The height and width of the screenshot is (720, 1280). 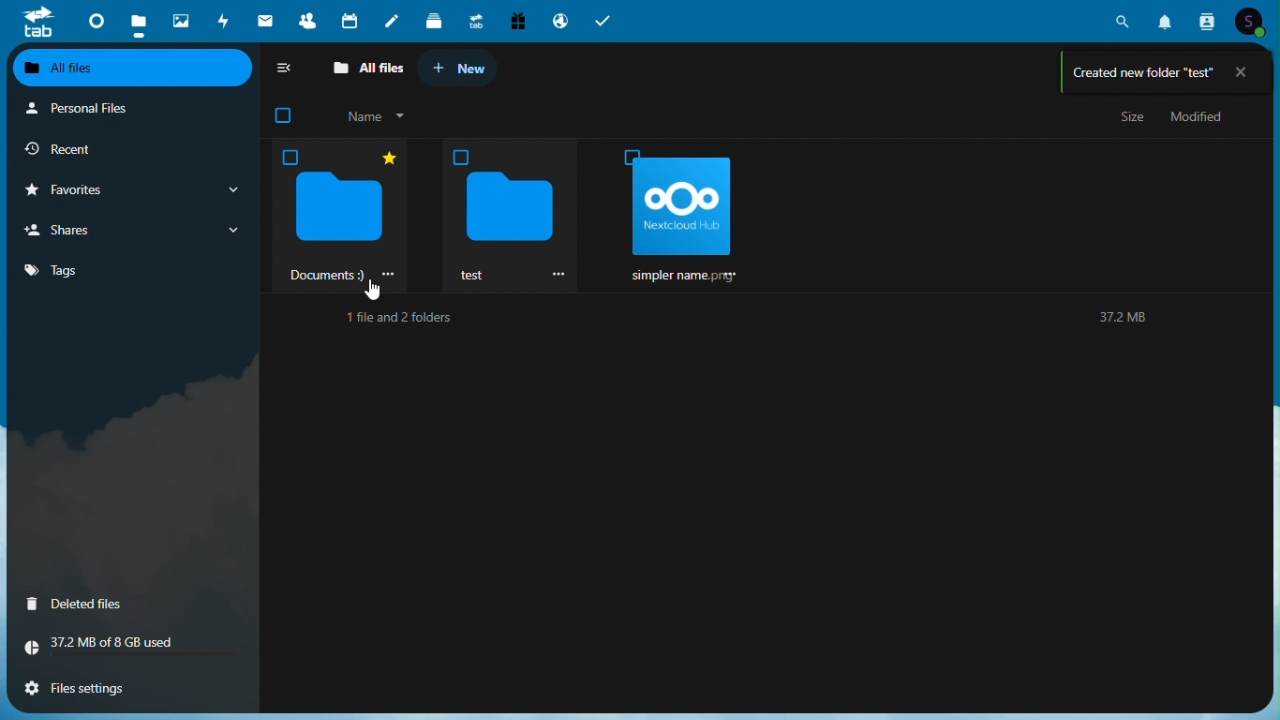 What do you see at coordinates (32, 21) in the screenshot?
I see `tab` at bounding box center [32, 21].